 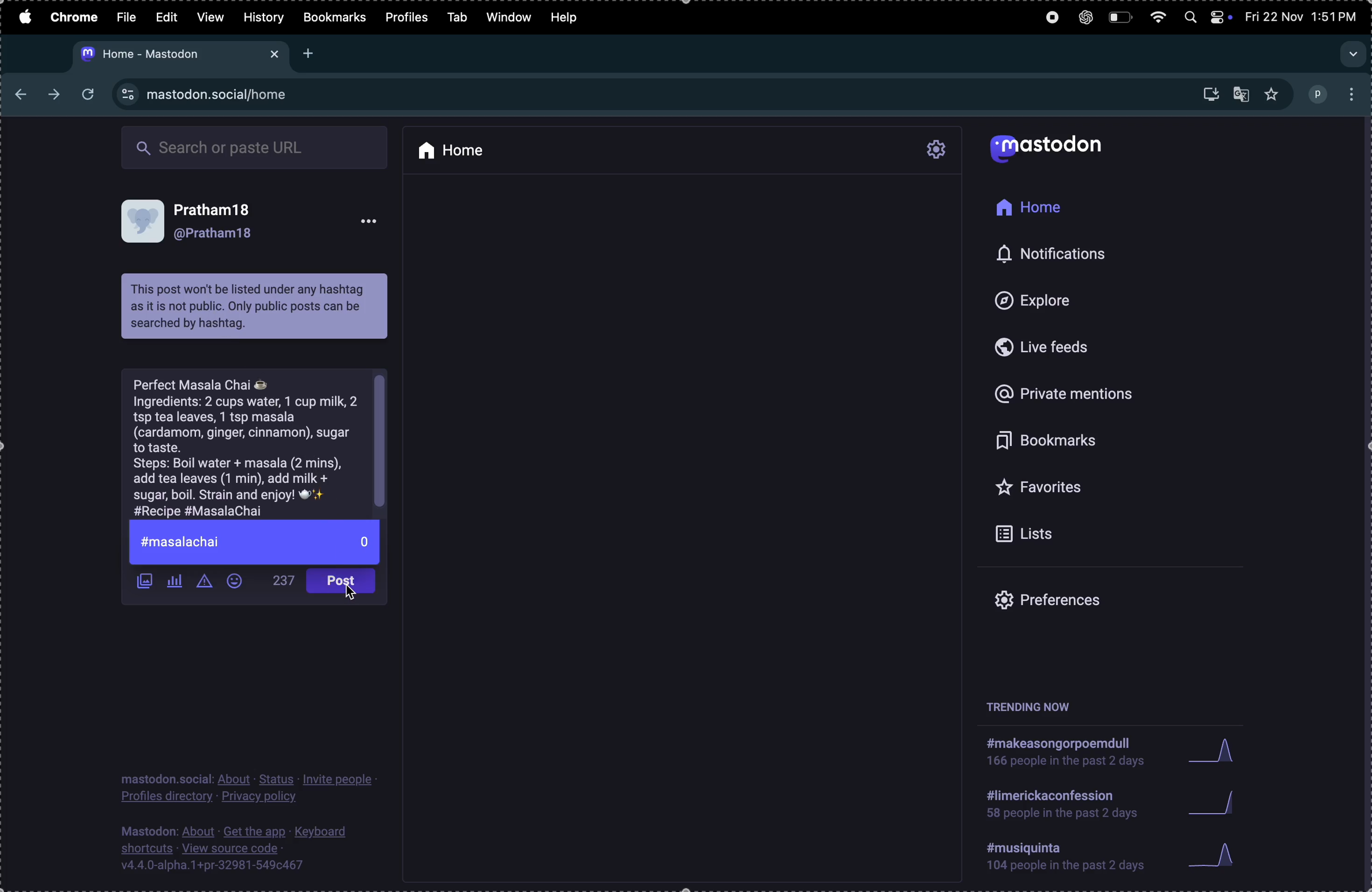 What do you see at coordinates (1071, 535) in the screenshot?
I see `lists` at bounding box center [1071, 535].